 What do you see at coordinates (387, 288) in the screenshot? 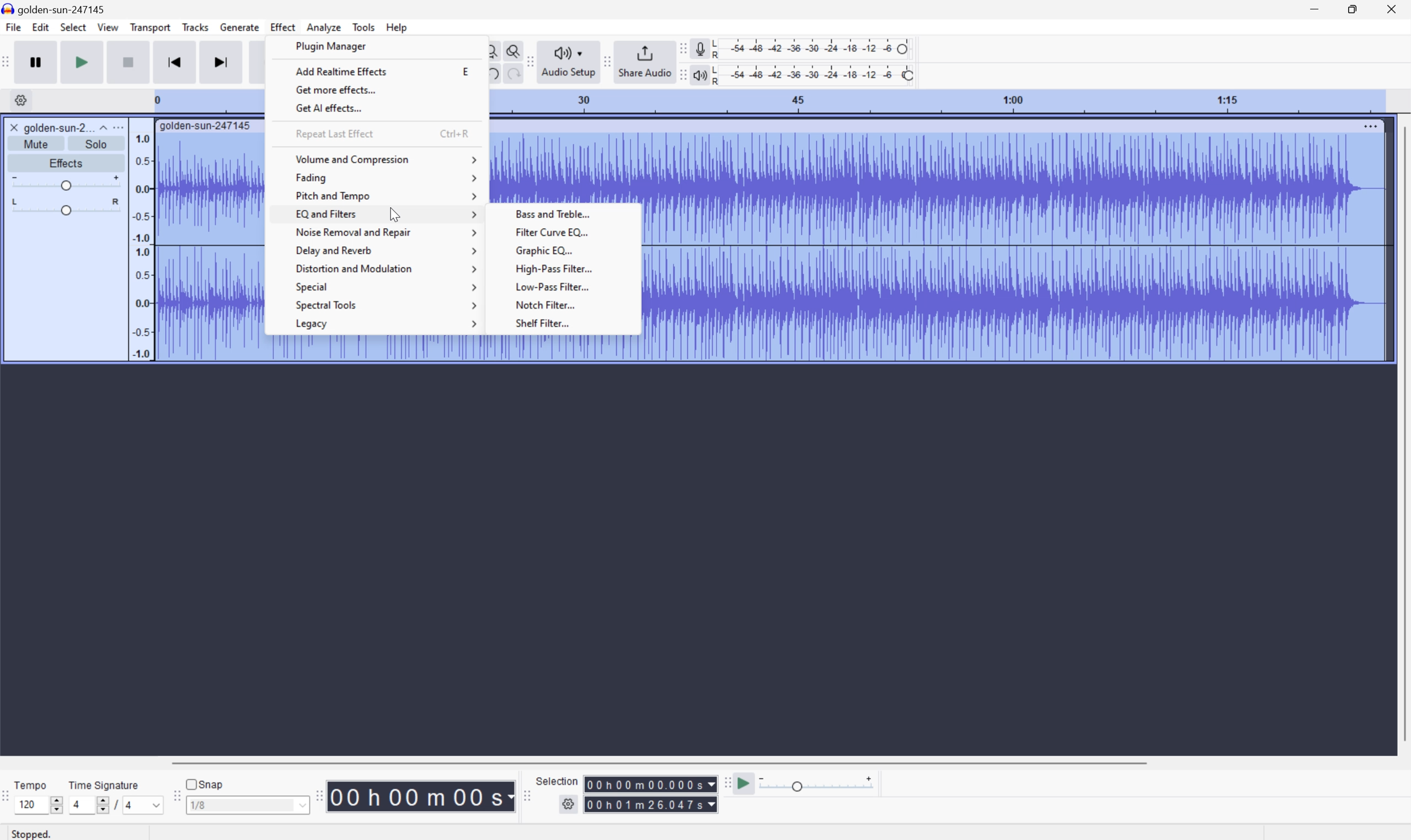
I see `Special` at bounding box center [387, 288].